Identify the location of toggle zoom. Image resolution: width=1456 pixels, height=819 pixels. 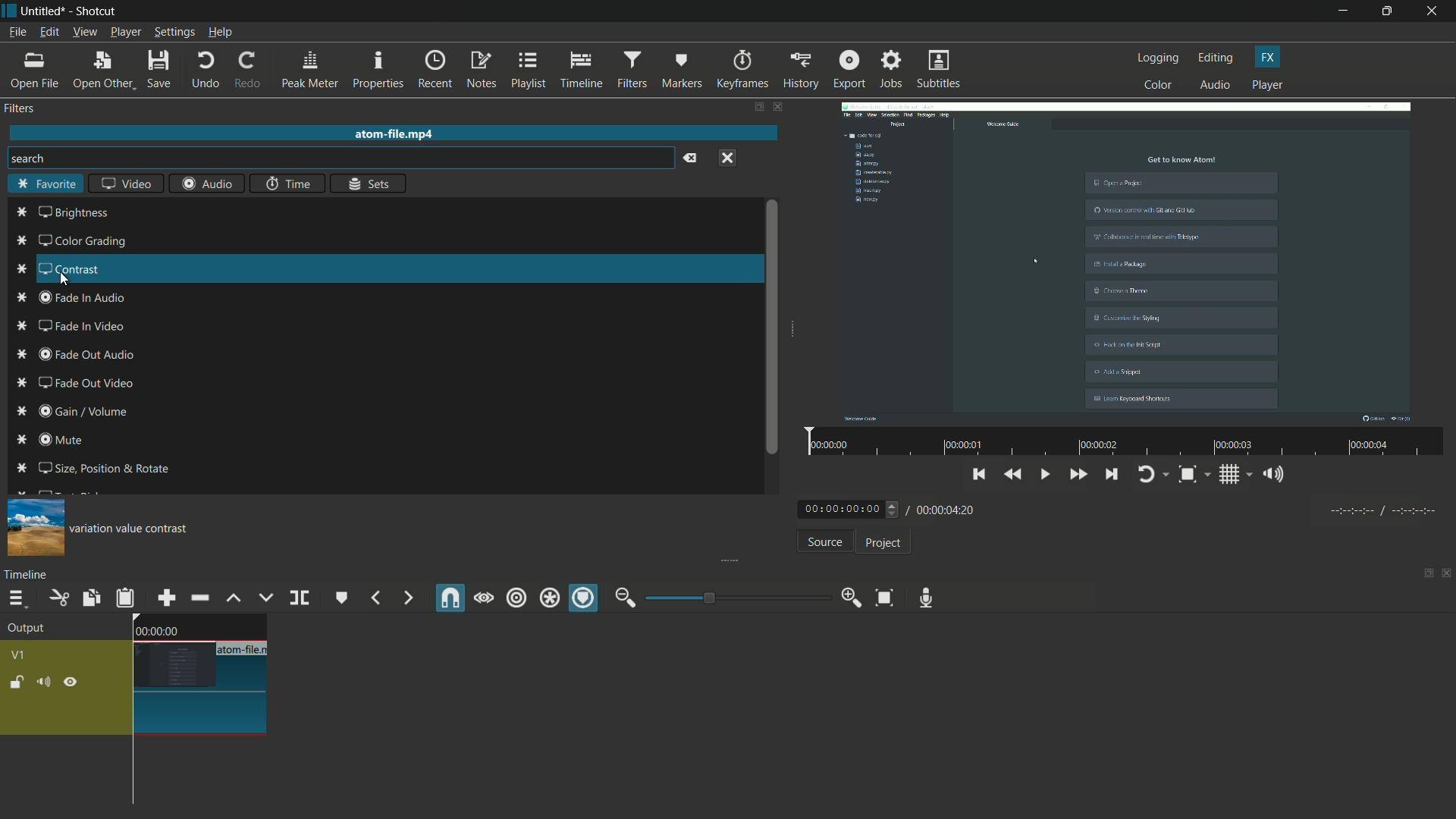
(1193, 475).